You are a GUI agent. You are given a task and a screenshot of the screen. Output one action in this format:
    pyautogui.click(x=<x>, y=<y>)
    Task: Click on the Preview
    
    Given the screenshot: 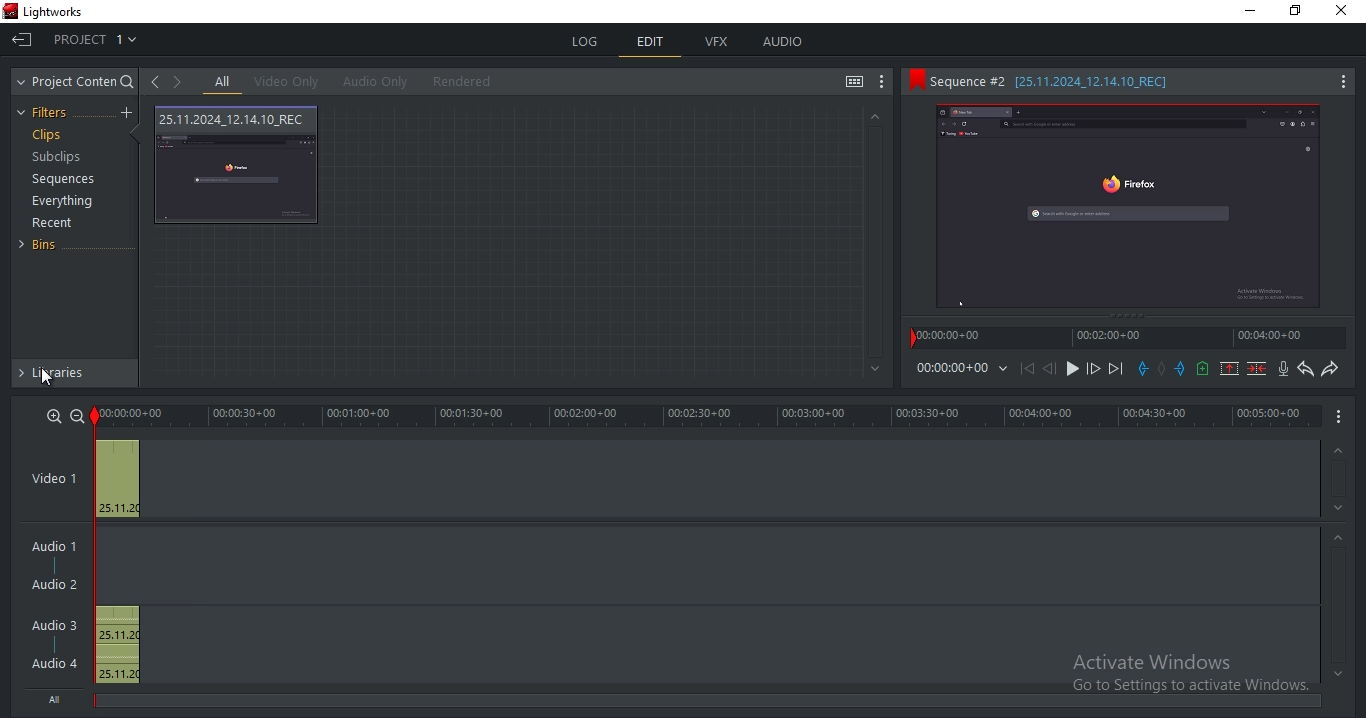 What is the action you would take?
    pyautogui.click(x=1136, y=211)
    